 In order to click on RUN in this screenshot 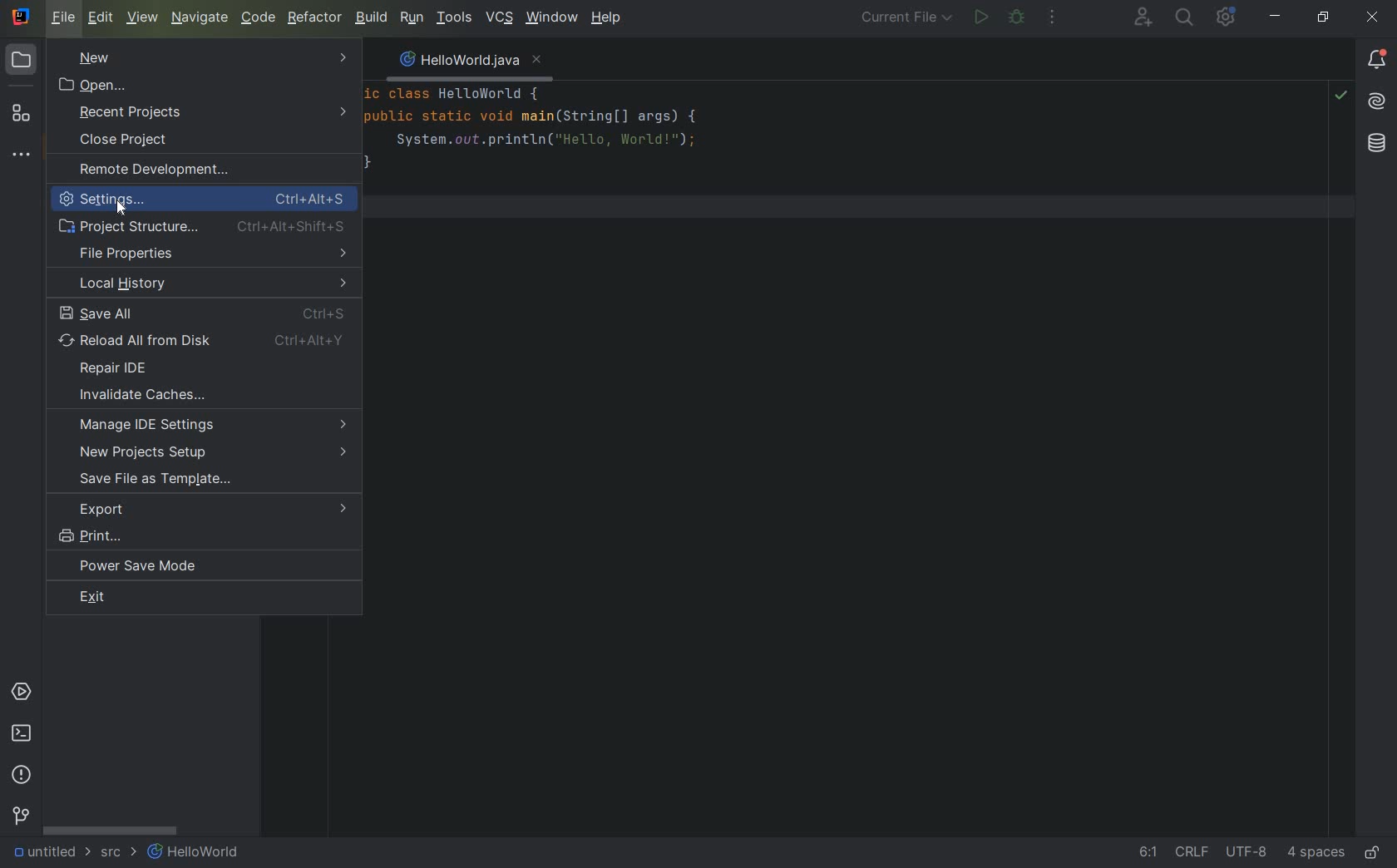, I will do `click(409, 17)`.